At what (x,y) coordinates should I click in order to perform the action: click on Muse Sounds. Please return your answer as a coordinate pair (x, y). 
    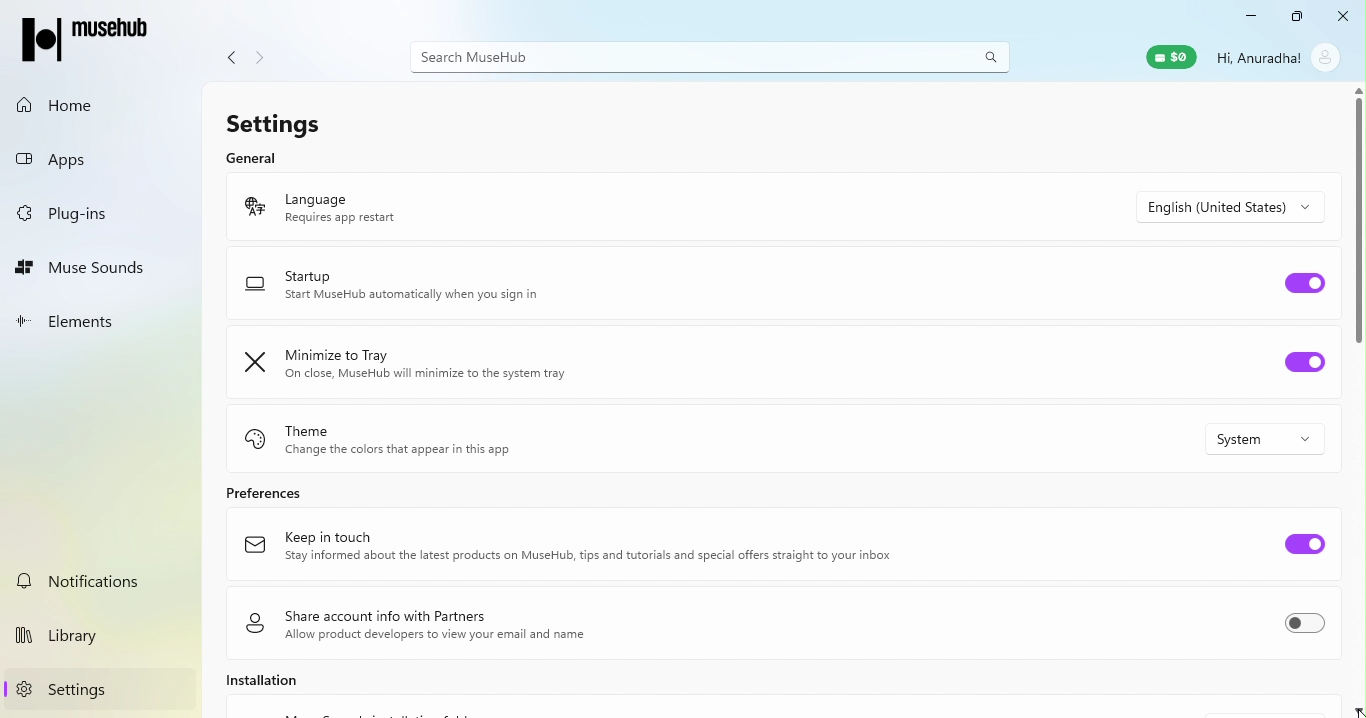
    Looking at the image, I should click on (92, 263).